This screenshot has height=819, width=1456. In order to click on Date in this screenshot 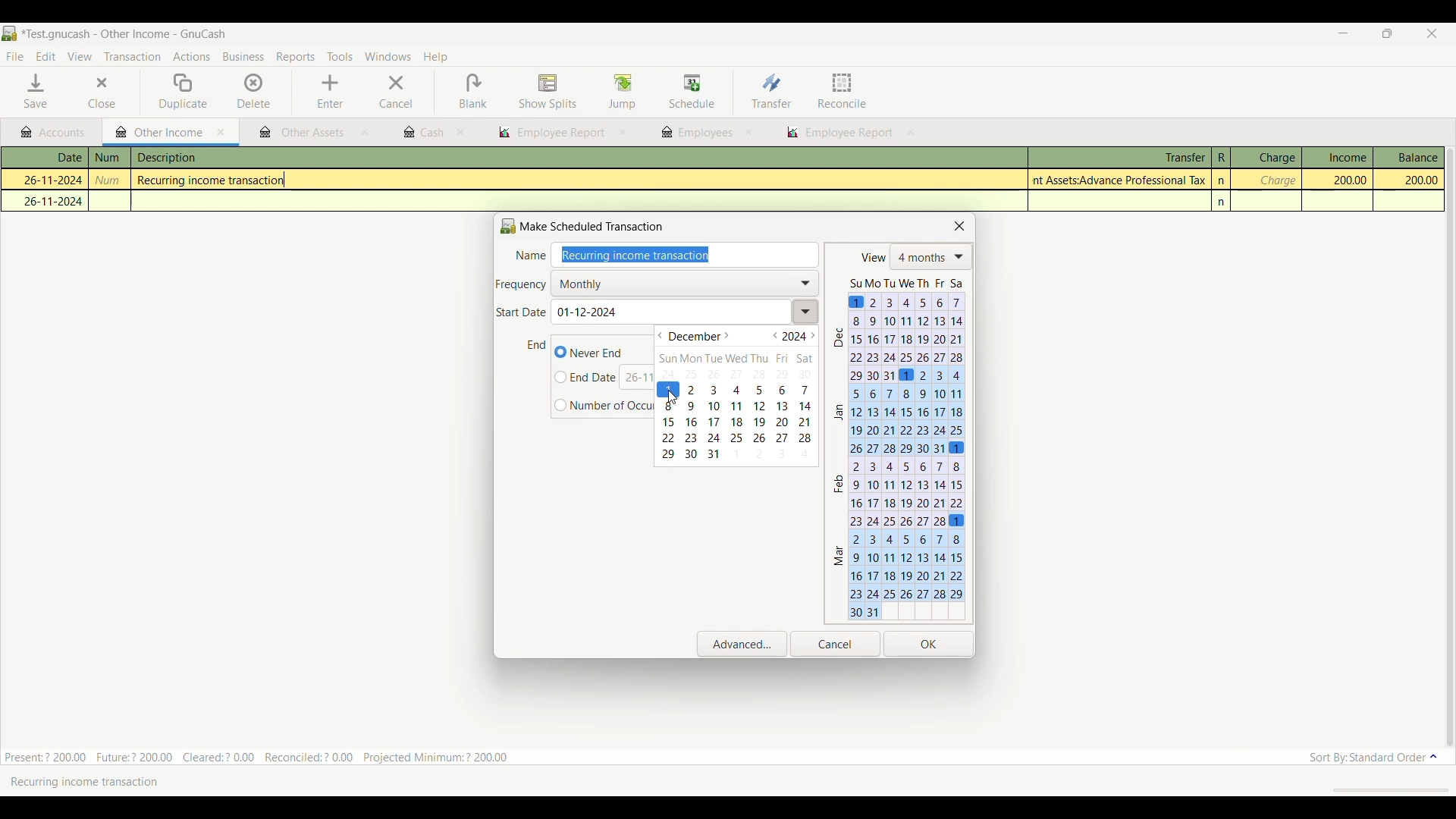, I will do `click(53, 158)`.